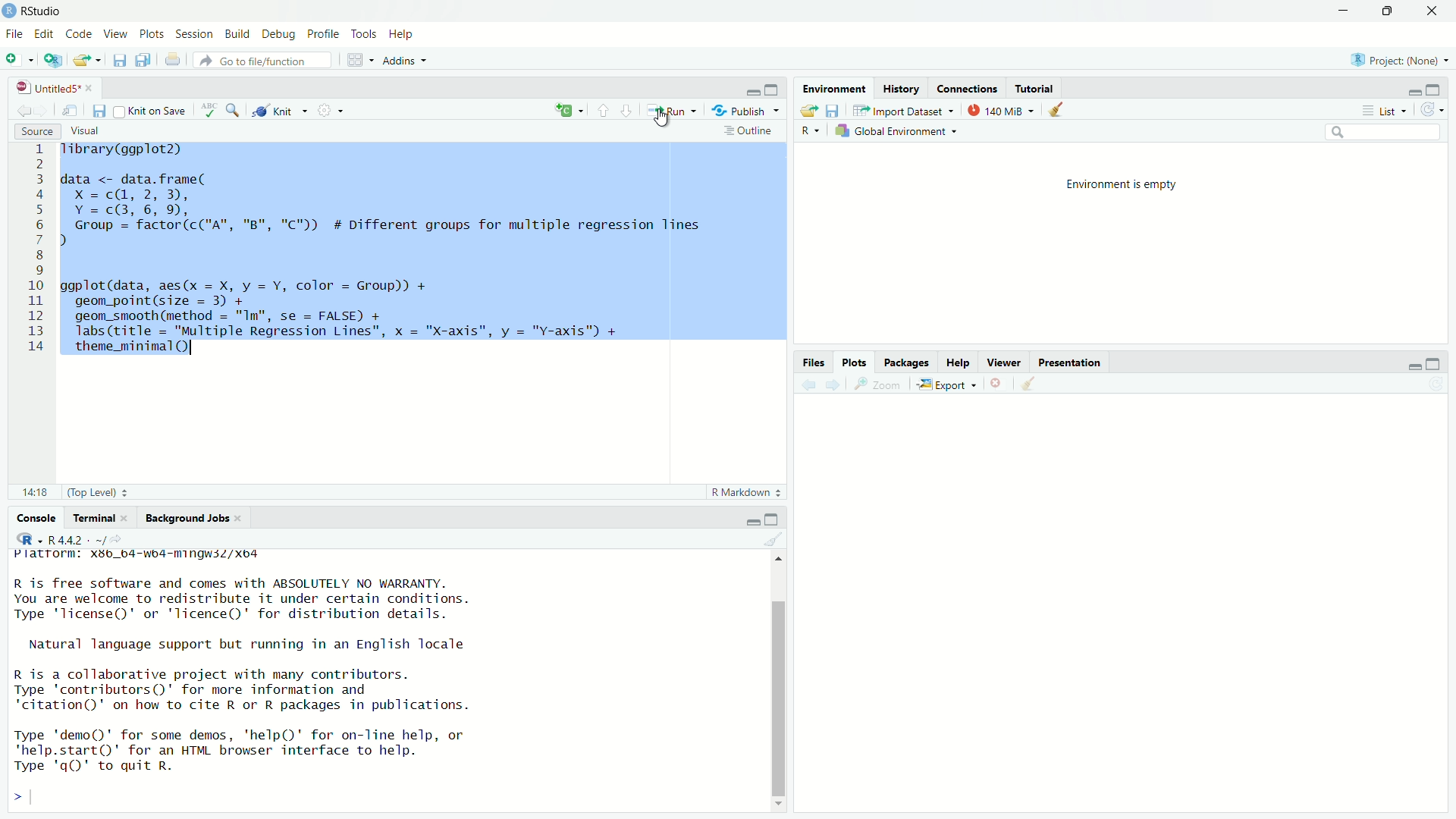  I want to click on clear, so click(769, 540).